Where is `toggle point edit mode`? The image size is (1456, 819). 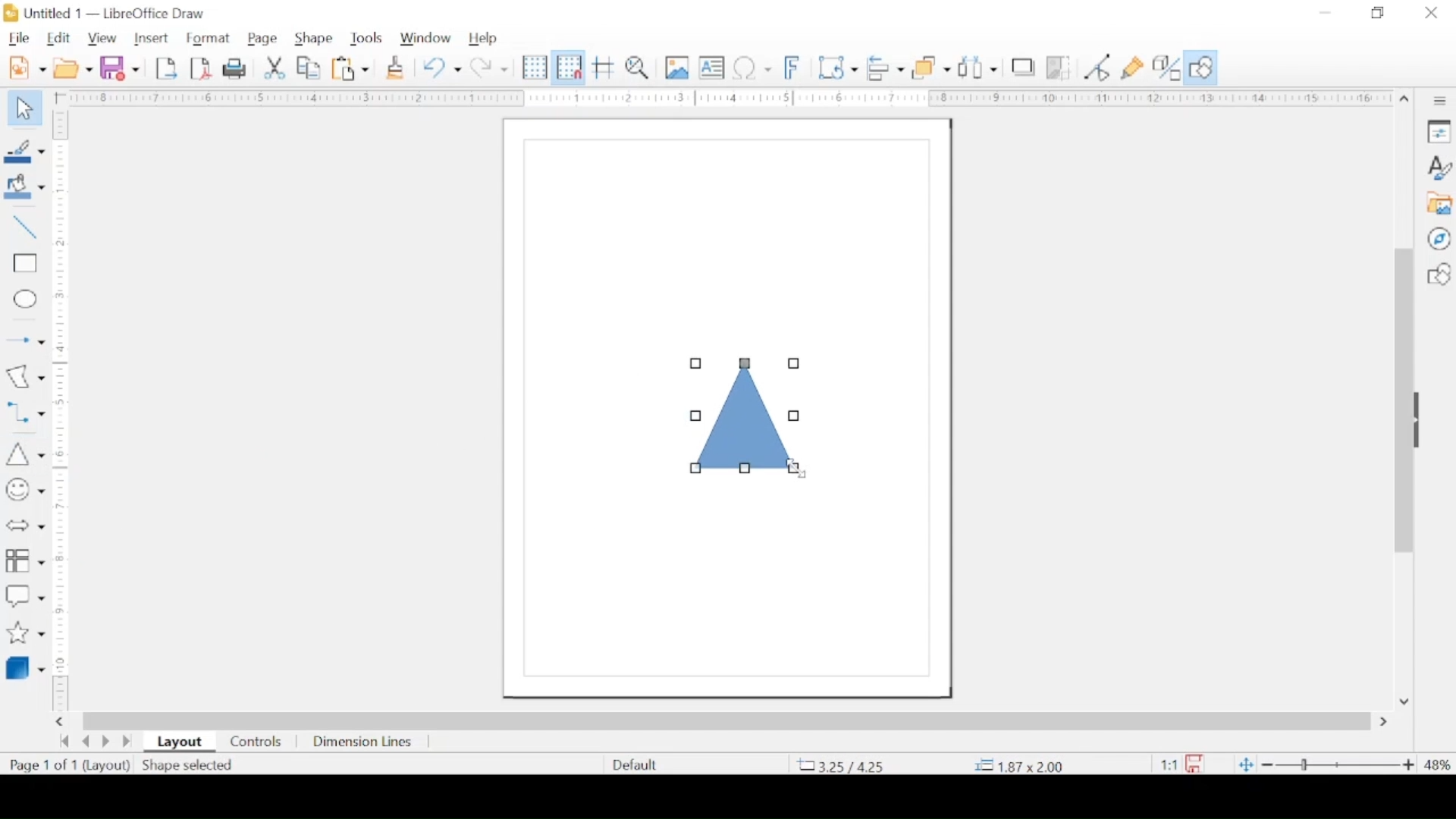 toggle point edit mode is located at coordinates (1097, 67).